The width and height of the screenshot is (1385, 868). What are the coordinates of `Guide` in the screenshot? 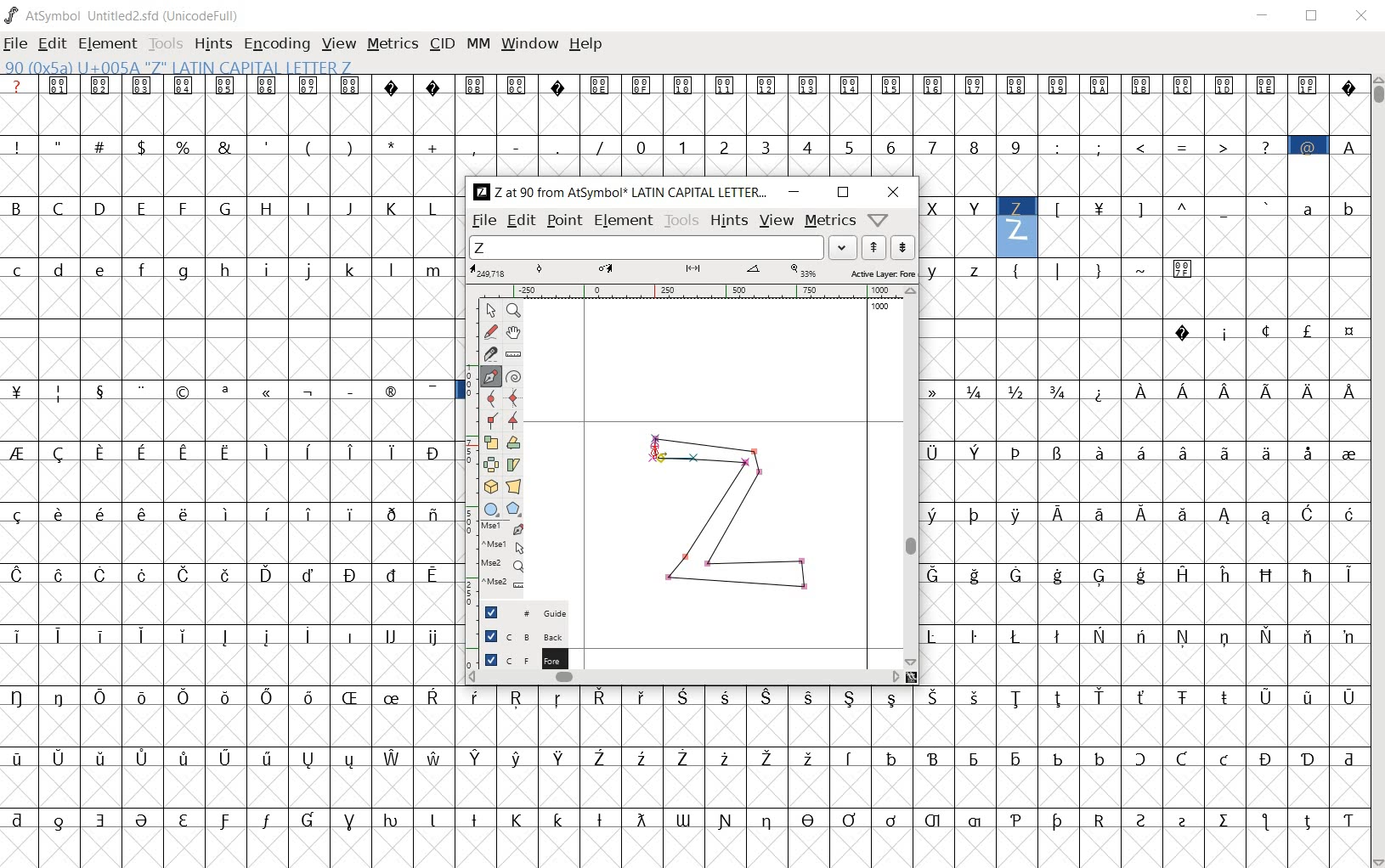 It's located at (517, 612).